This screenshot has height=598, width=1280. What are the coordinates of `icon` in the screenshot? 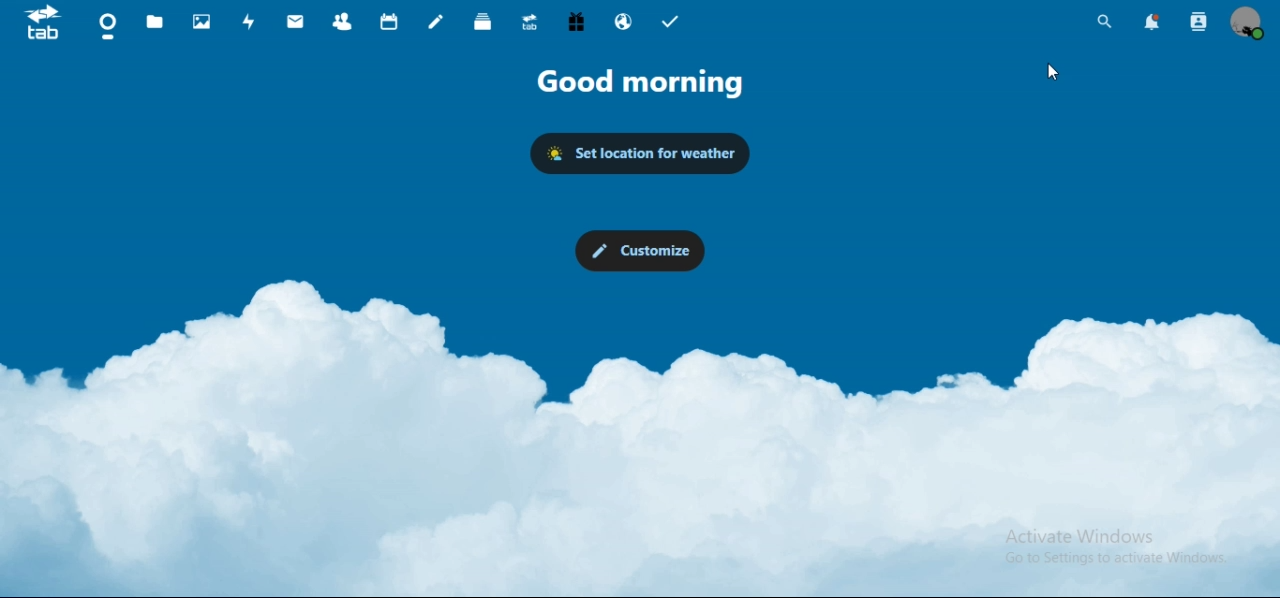 It's located at (43, 22).